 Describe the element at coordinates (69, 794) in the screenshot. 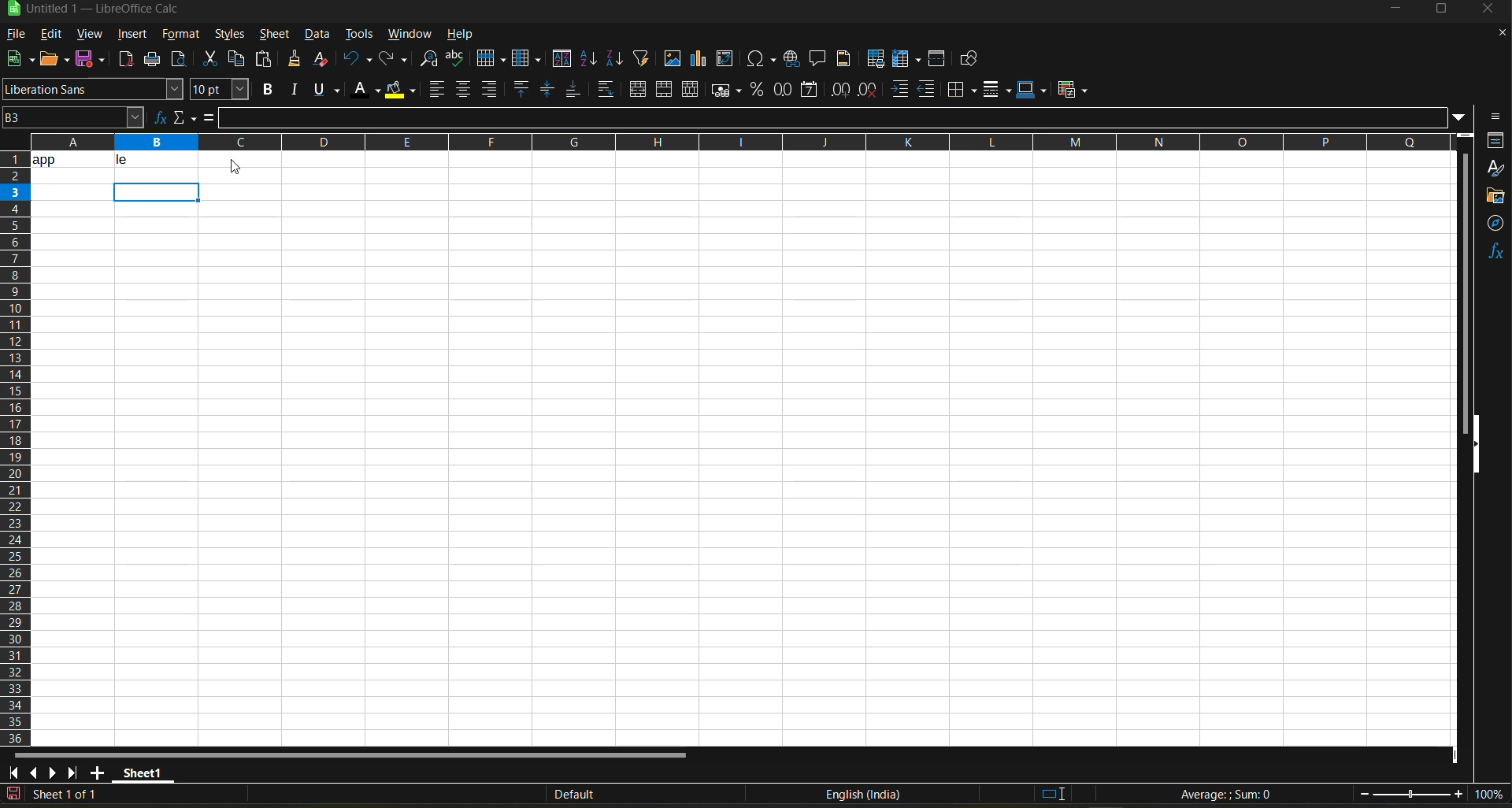

I see `sheet number` at that location.